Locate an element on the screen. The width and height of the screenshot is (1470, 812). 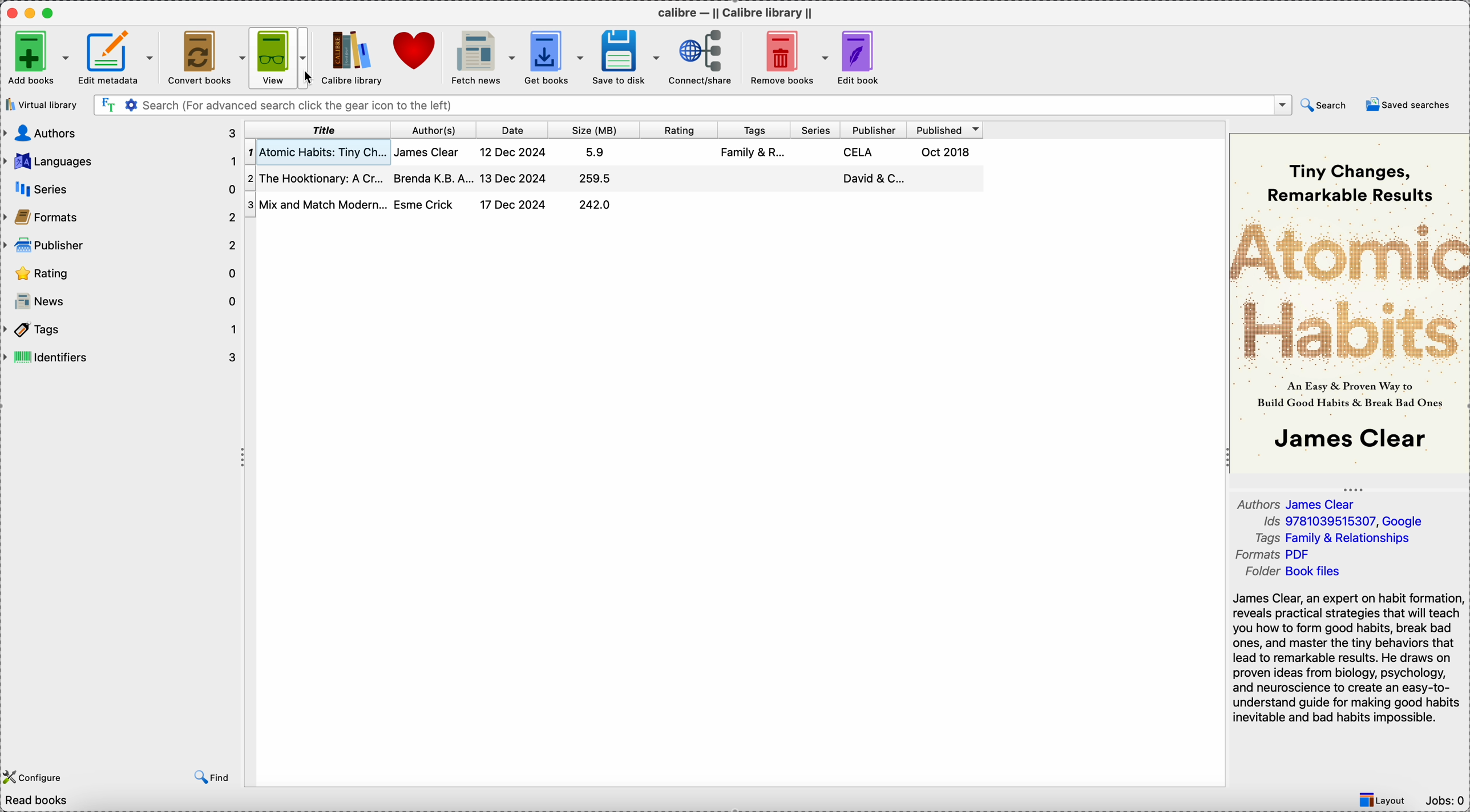
close program is located at coordinates (11, 11).